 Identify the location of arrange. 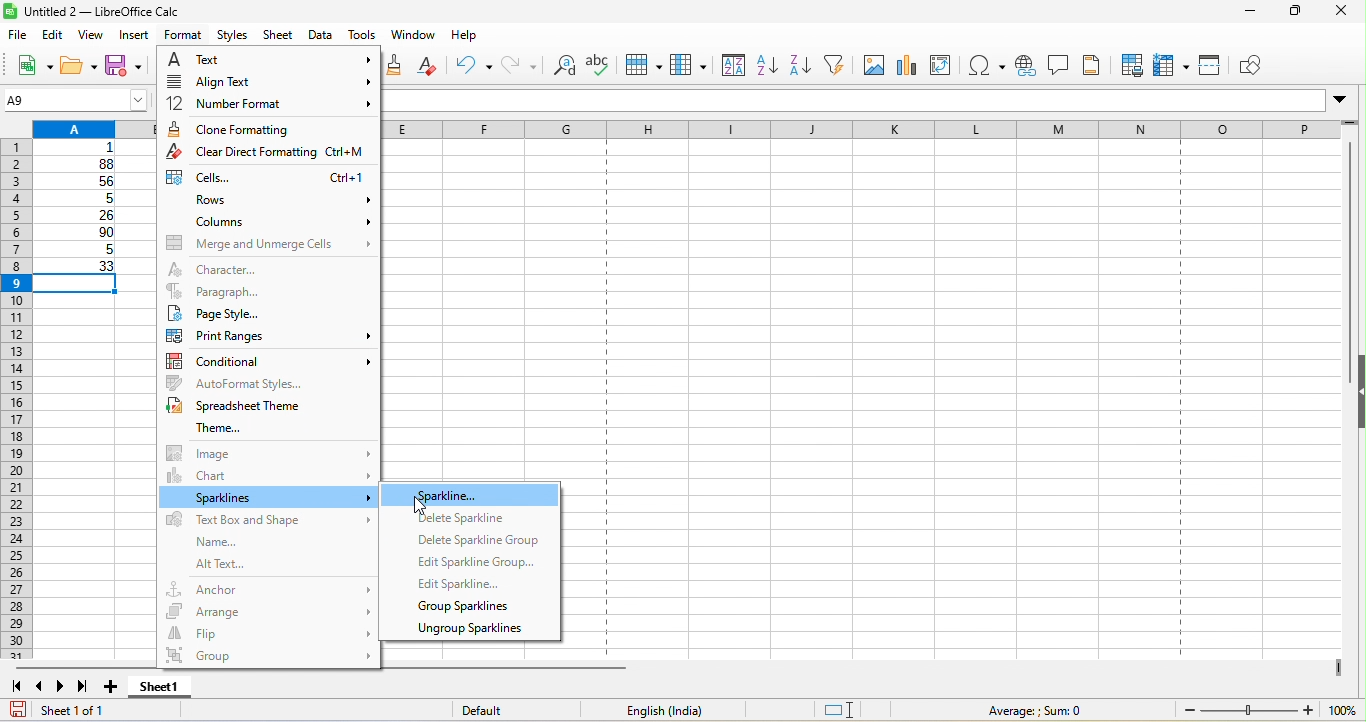
(269, 608).